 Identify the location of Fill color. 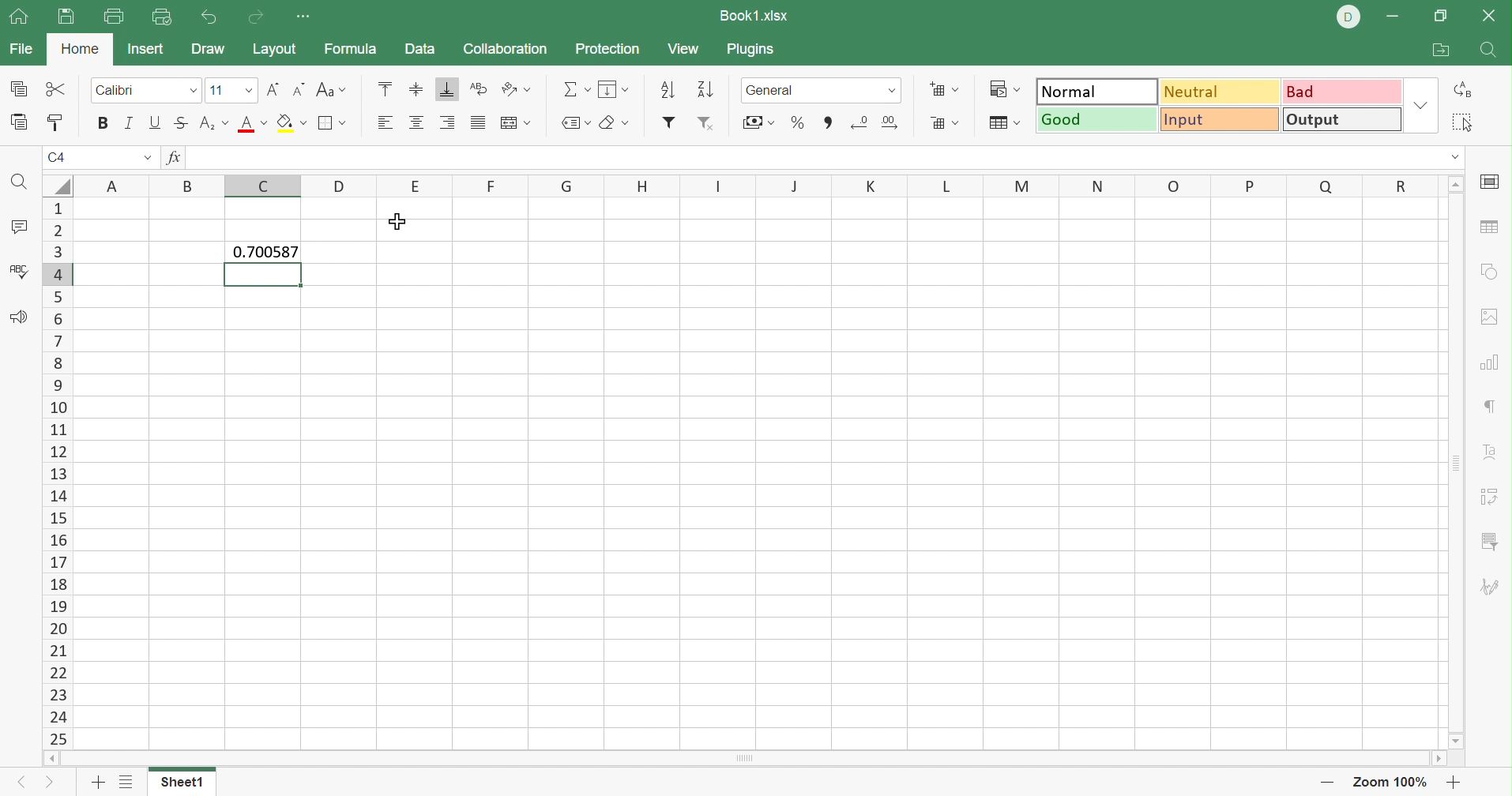
(290, 123).